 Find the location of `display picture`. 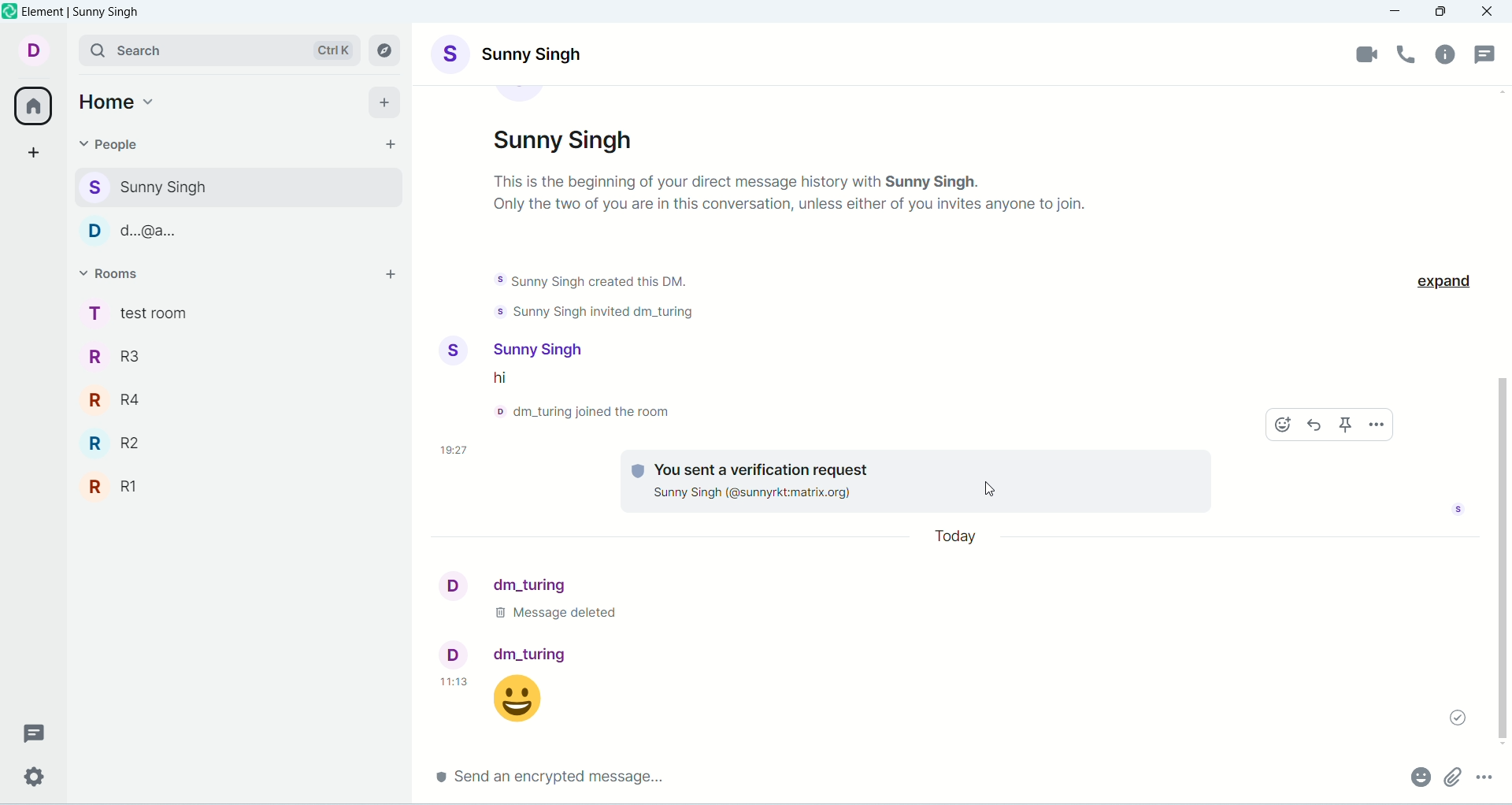

display picture is located at coordinates (452, 585).